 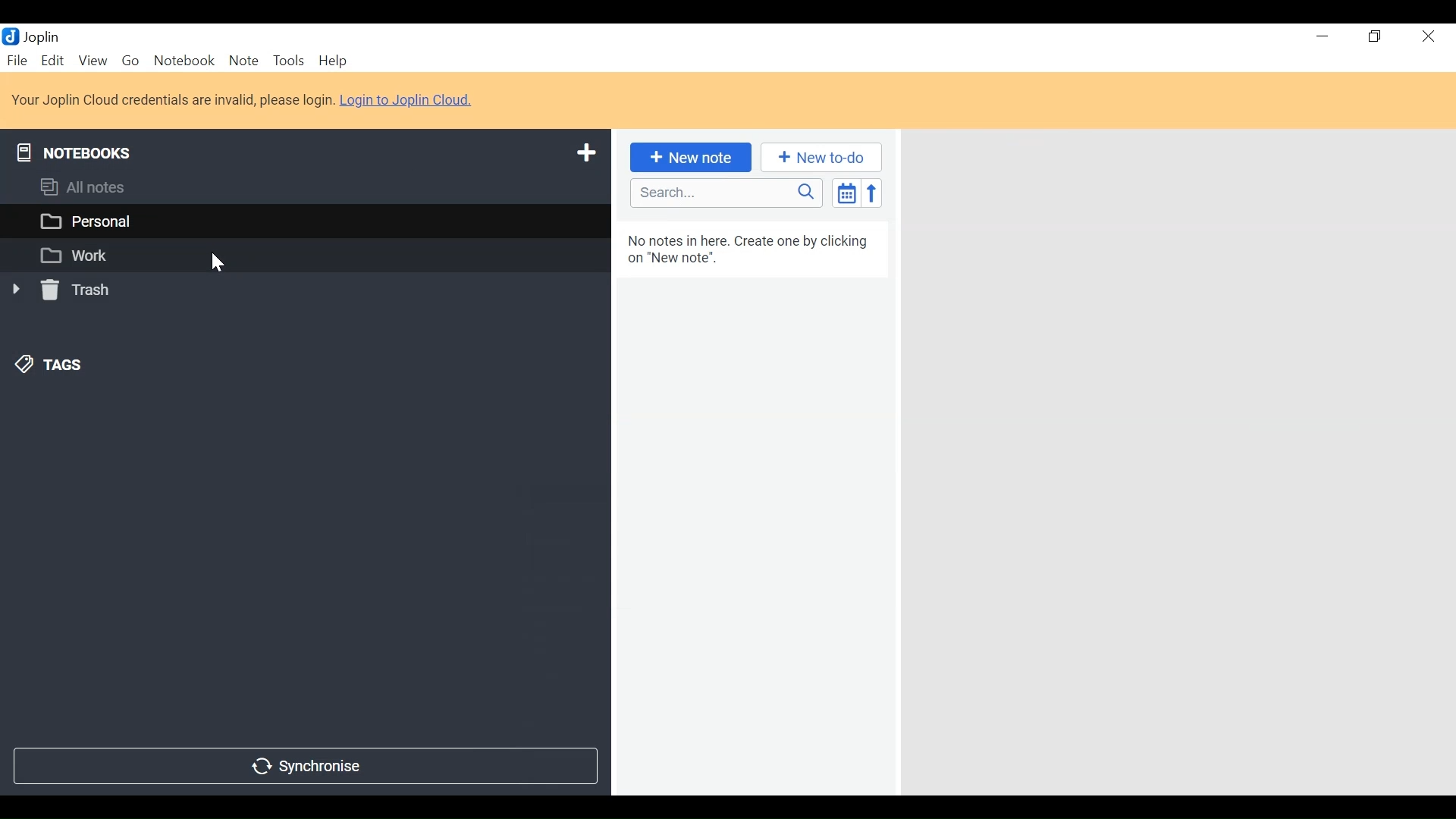 What do you see at coordinates (296, 255) in the screenshot?
I see `Work` at bounding box center [296, 255].